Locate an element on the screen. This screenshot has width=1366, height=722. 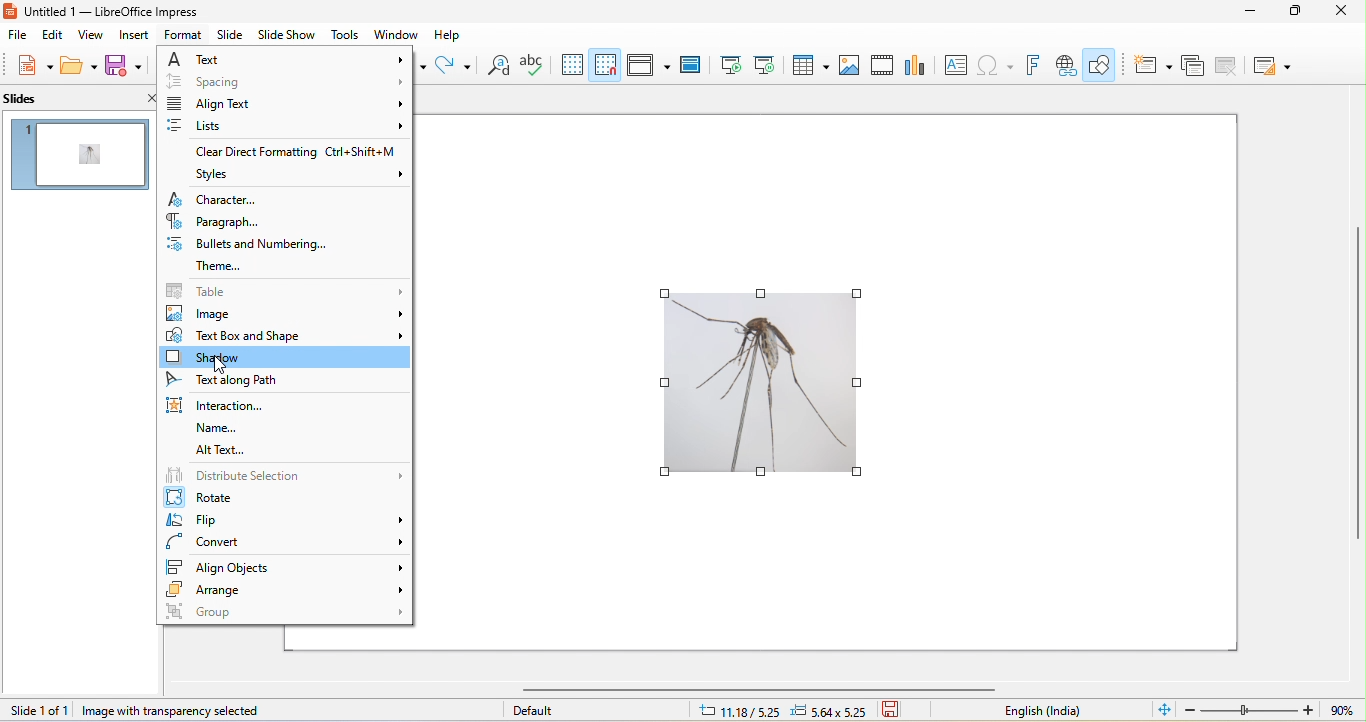
window is located at coordinates (394, 35).